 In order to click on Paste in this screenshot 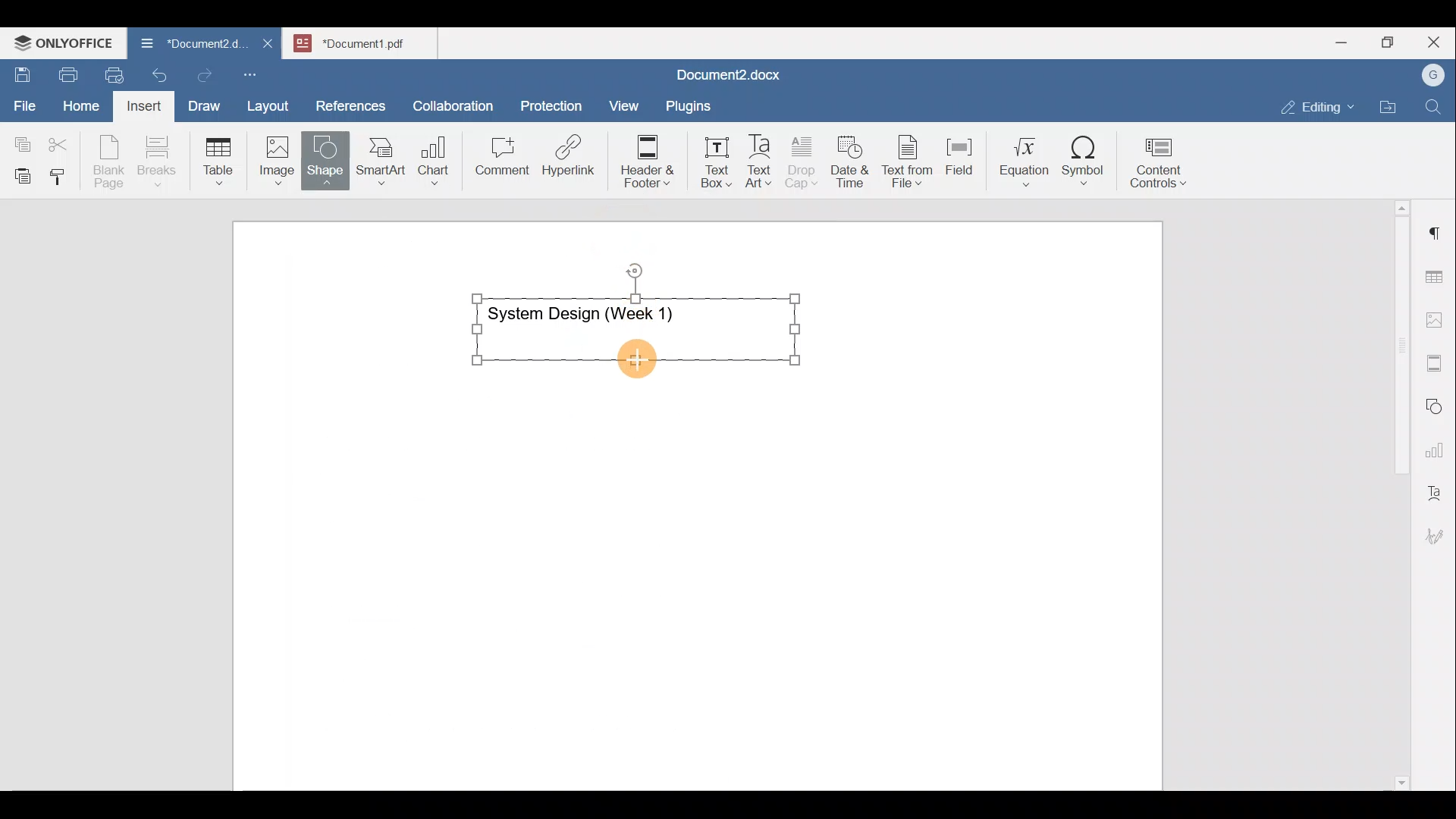, I will do `click(19, 172)`.